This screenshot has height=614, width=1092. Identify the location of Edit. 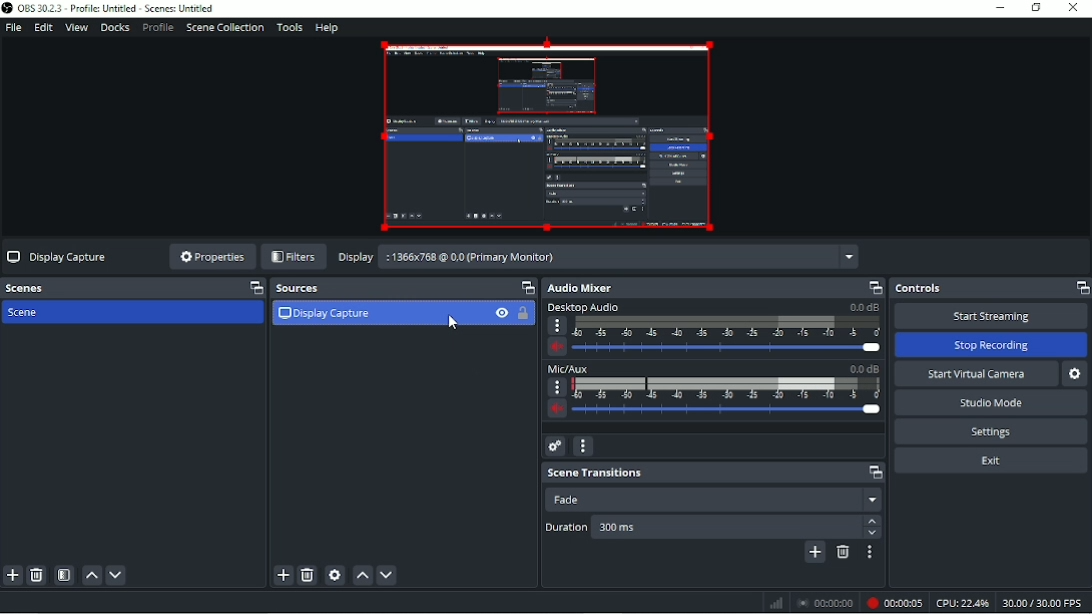
(44, 27).